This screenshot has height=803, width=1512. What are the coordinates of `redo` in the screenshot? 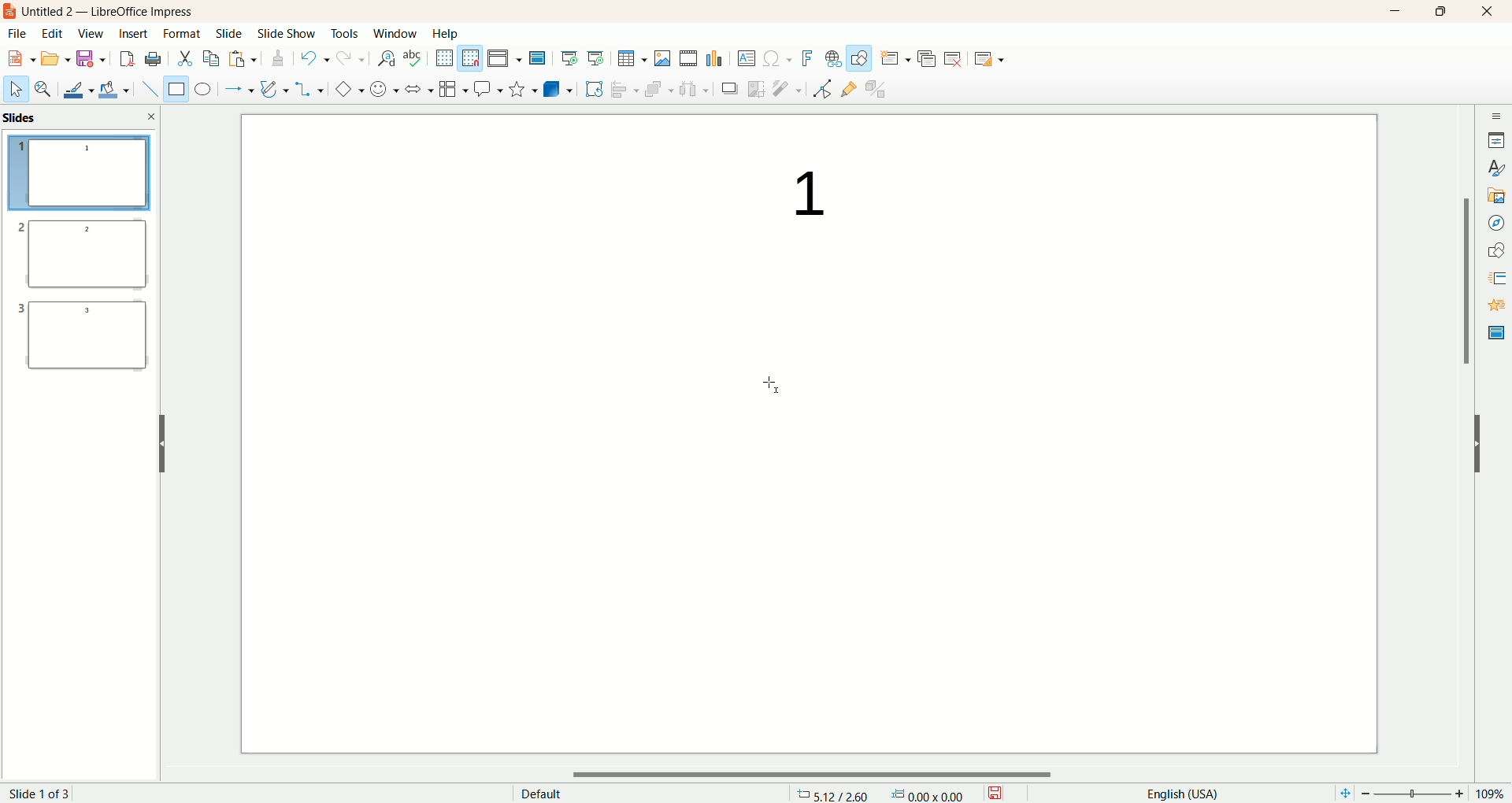 It's located at (348, 61).